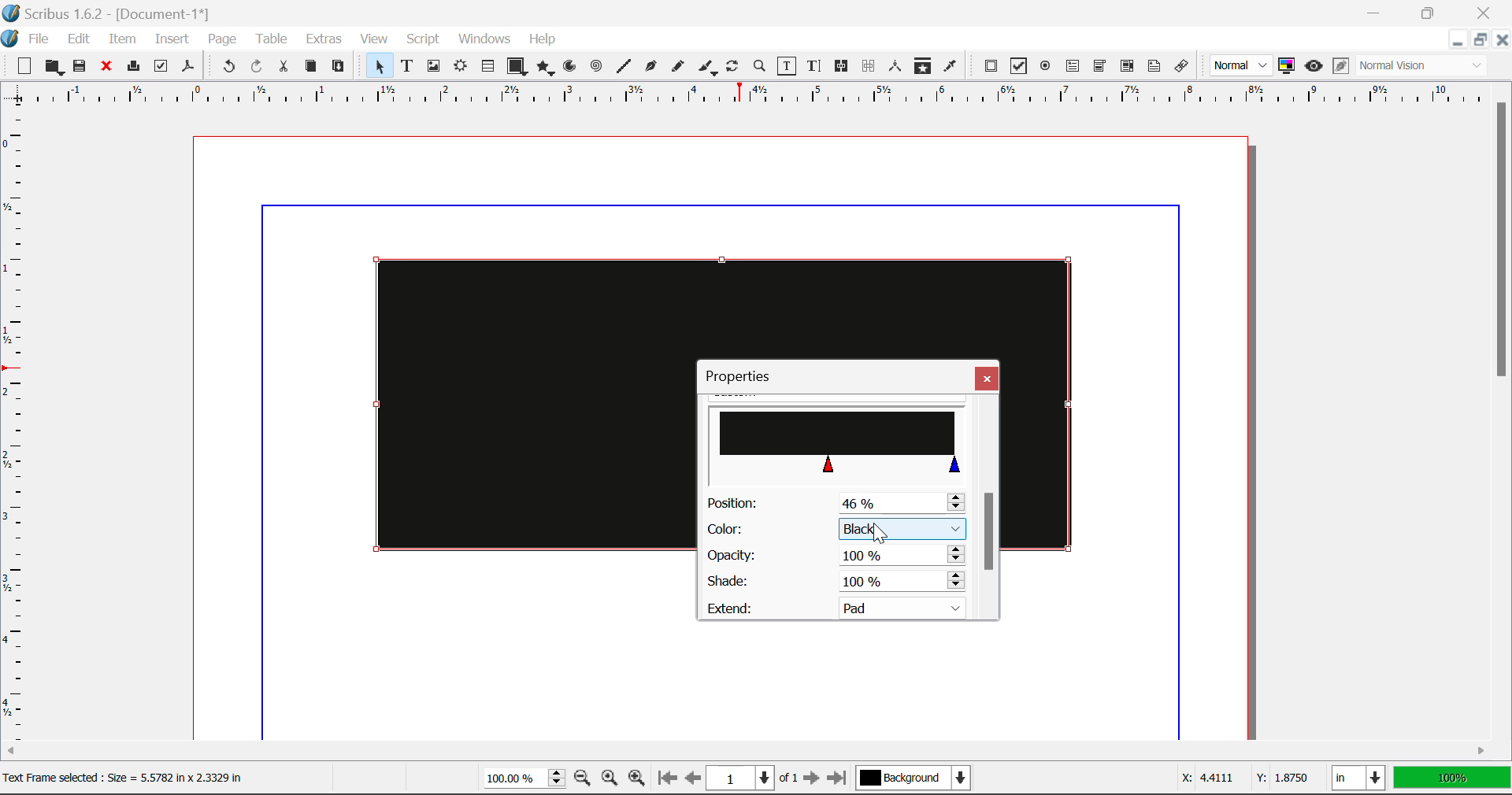 Image resolution: width=1512 pixels, height=795 pixels. I want to click on Scroll Bar, so click(988, 508).